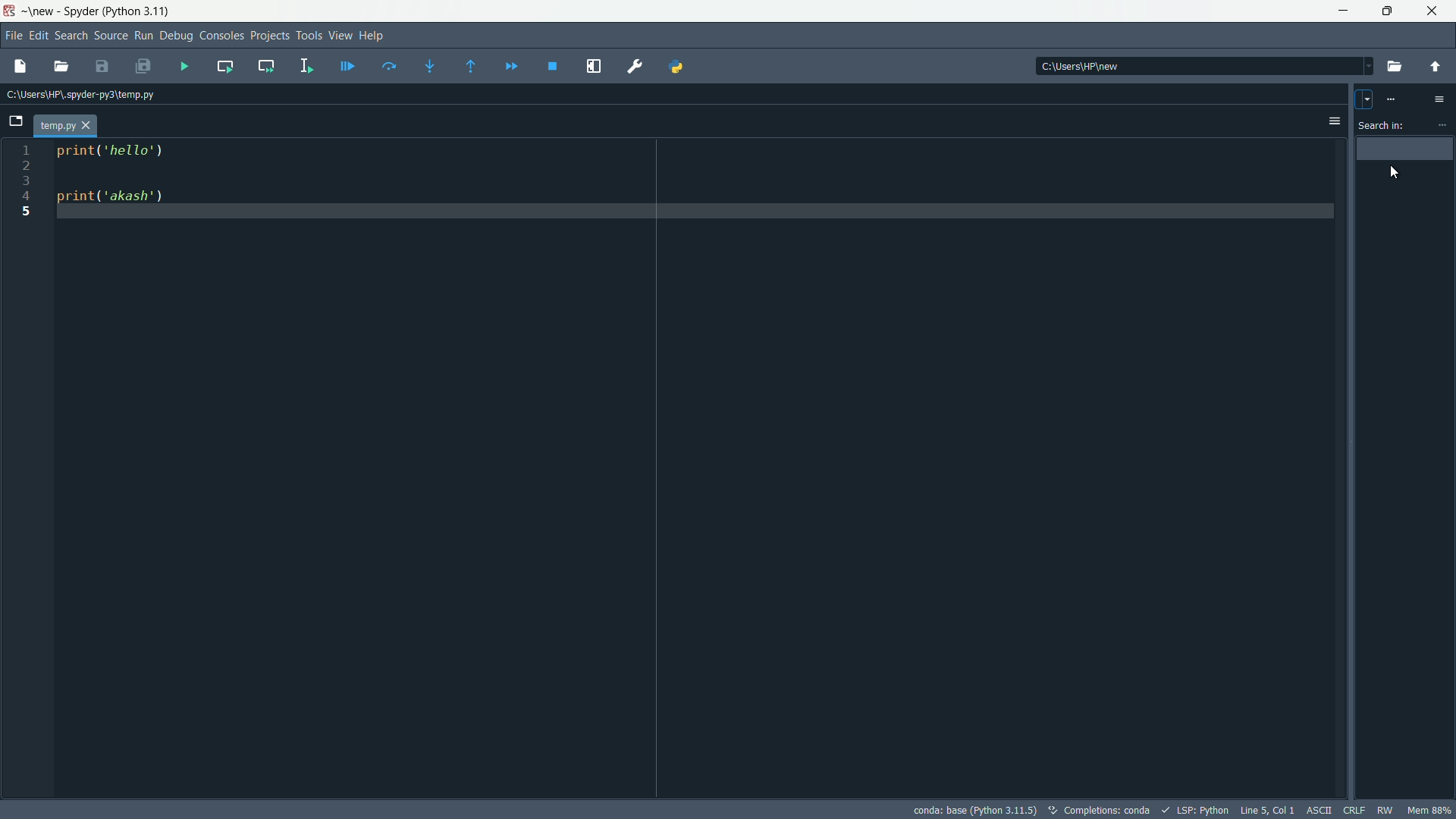 This screenshot has width=1456, height=819. Describe the element at coordinates (1406, 467) in the screenshot. I see `Search pane` at that location.